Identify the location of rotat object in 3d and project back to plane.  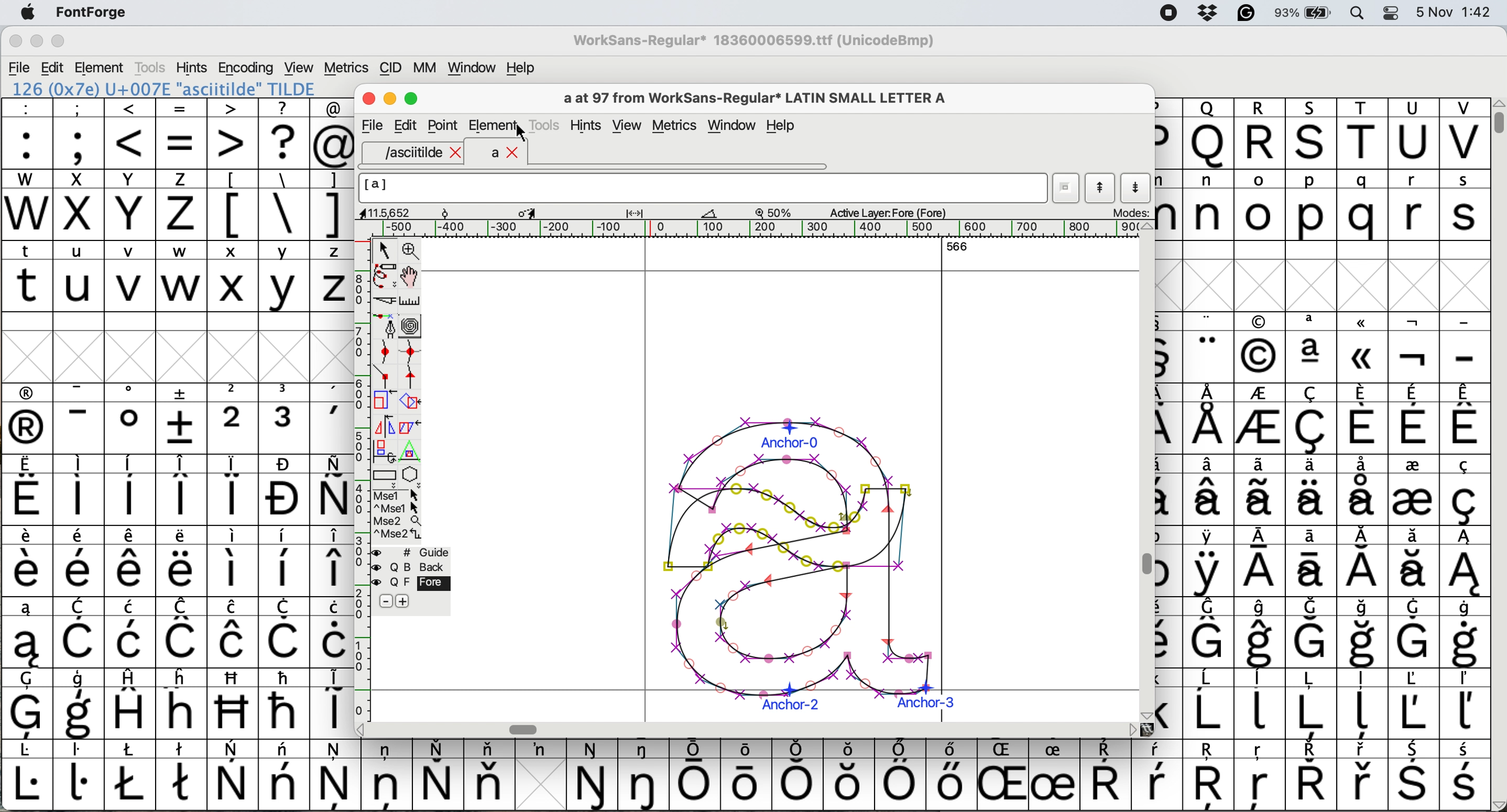
(383, 450).